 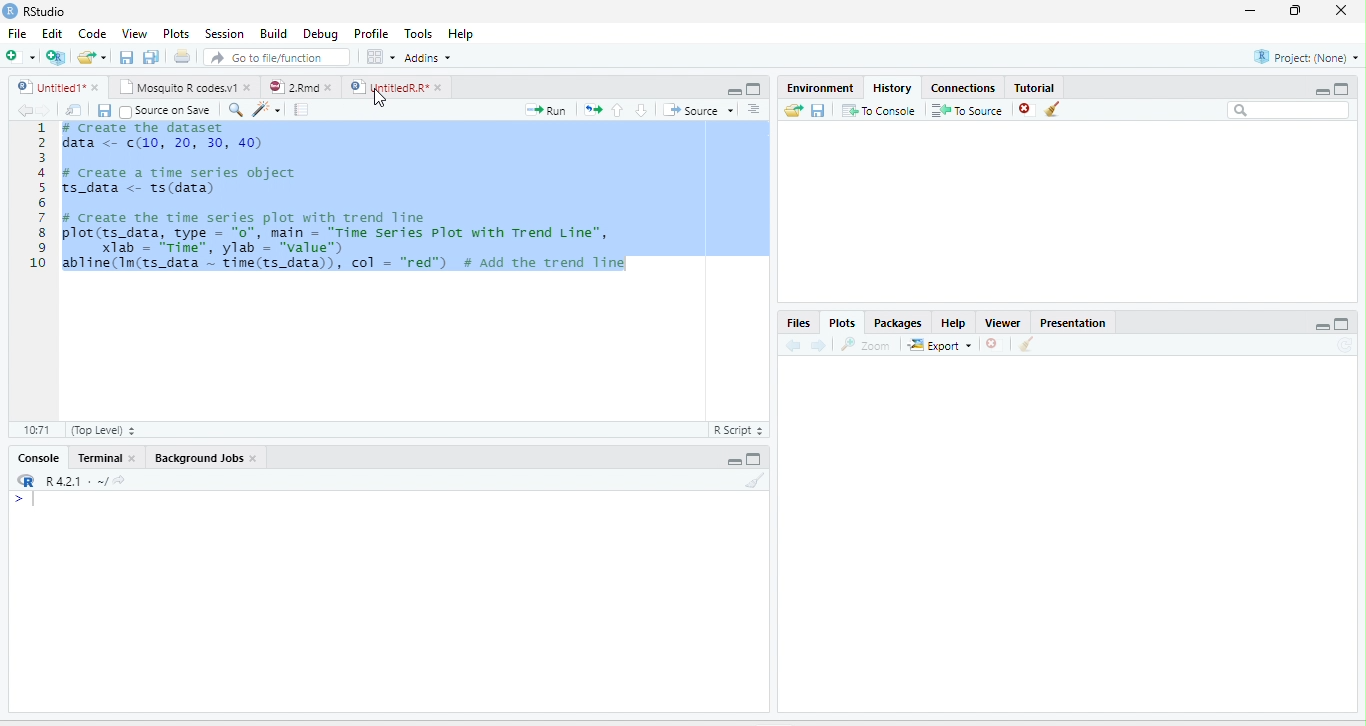 I want to click on Compile Report, so click(x=302, y=110).